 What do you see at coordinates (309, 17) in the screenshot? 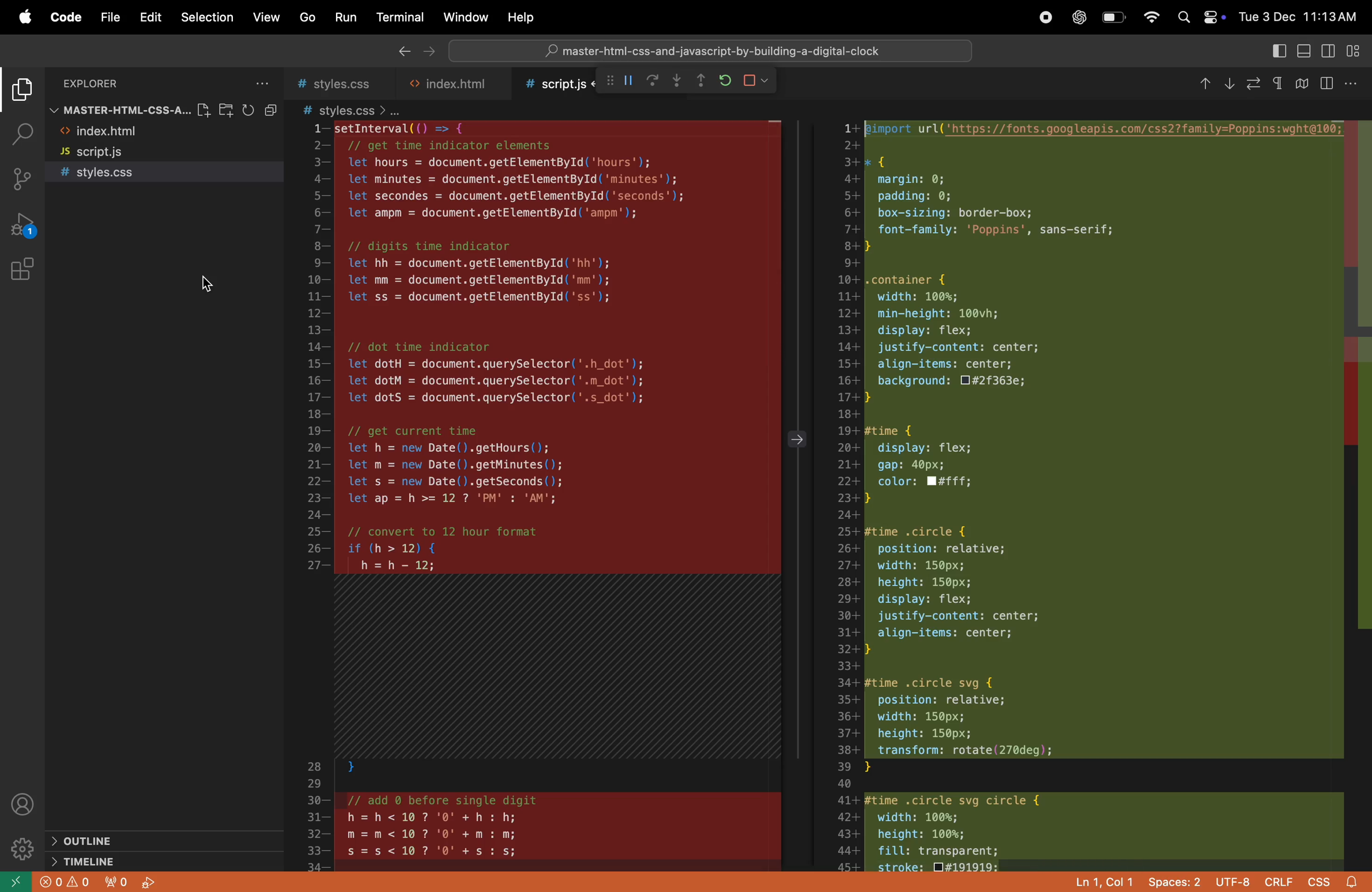
I see `go` at bounding box center [309, 17].